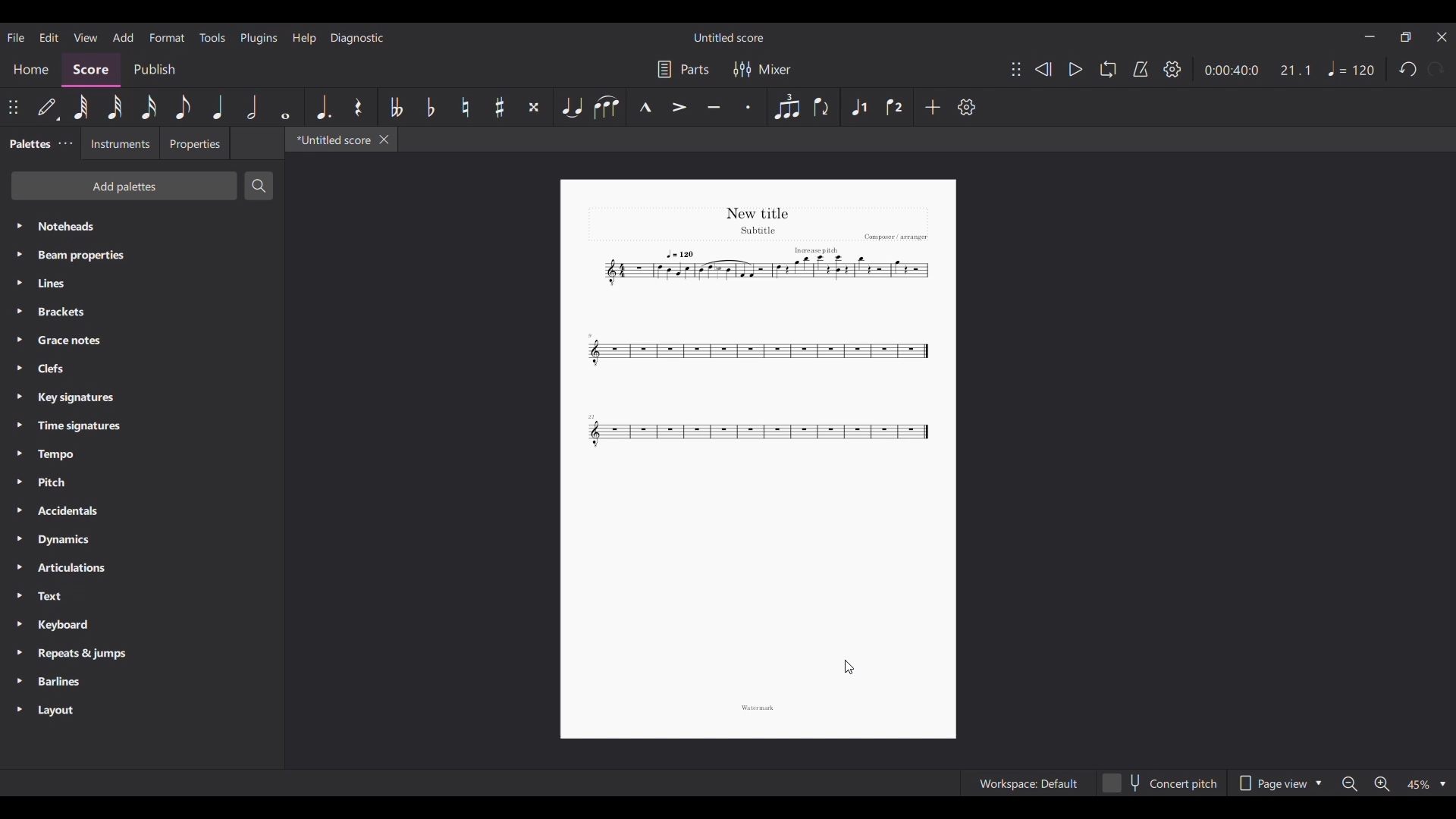 The height and width of the screenshot is (819, 1456). I want to click on Augmentation dot, so click(323, 107).